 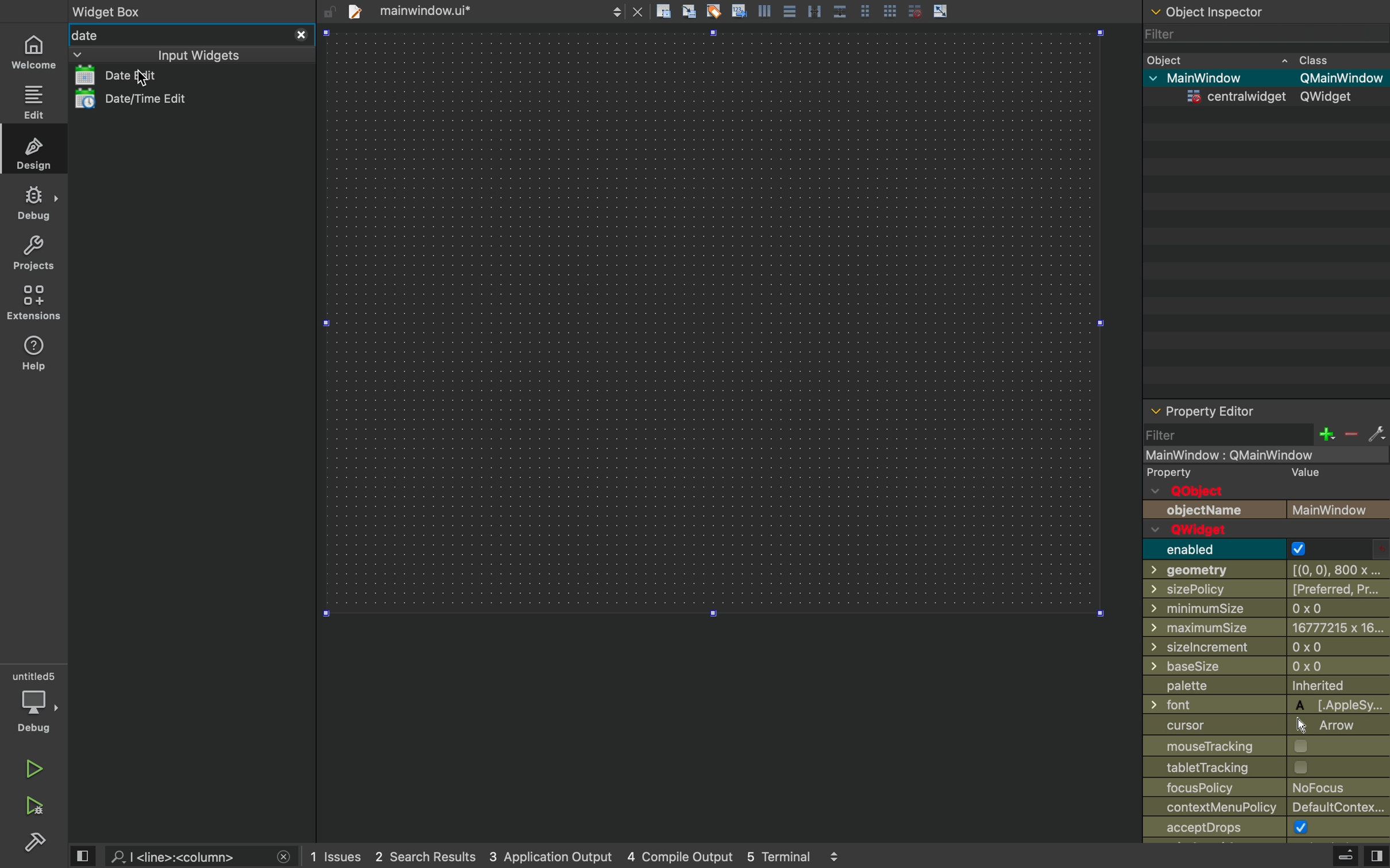 I want to click on centrawidget, so click(x=1269, y=100).